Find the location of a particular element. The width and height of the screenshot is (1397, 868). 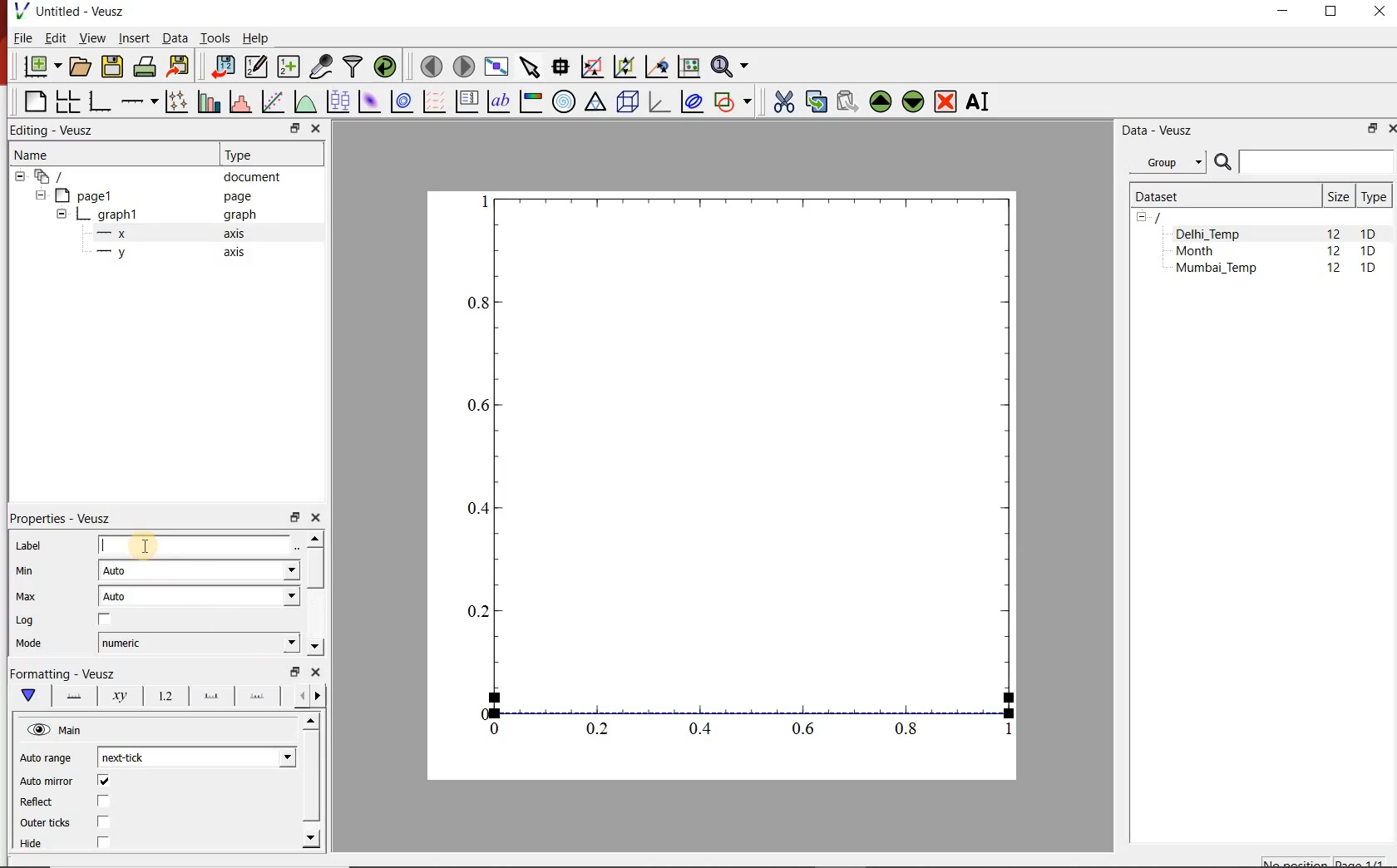

close is located at coordinates (314, 518).